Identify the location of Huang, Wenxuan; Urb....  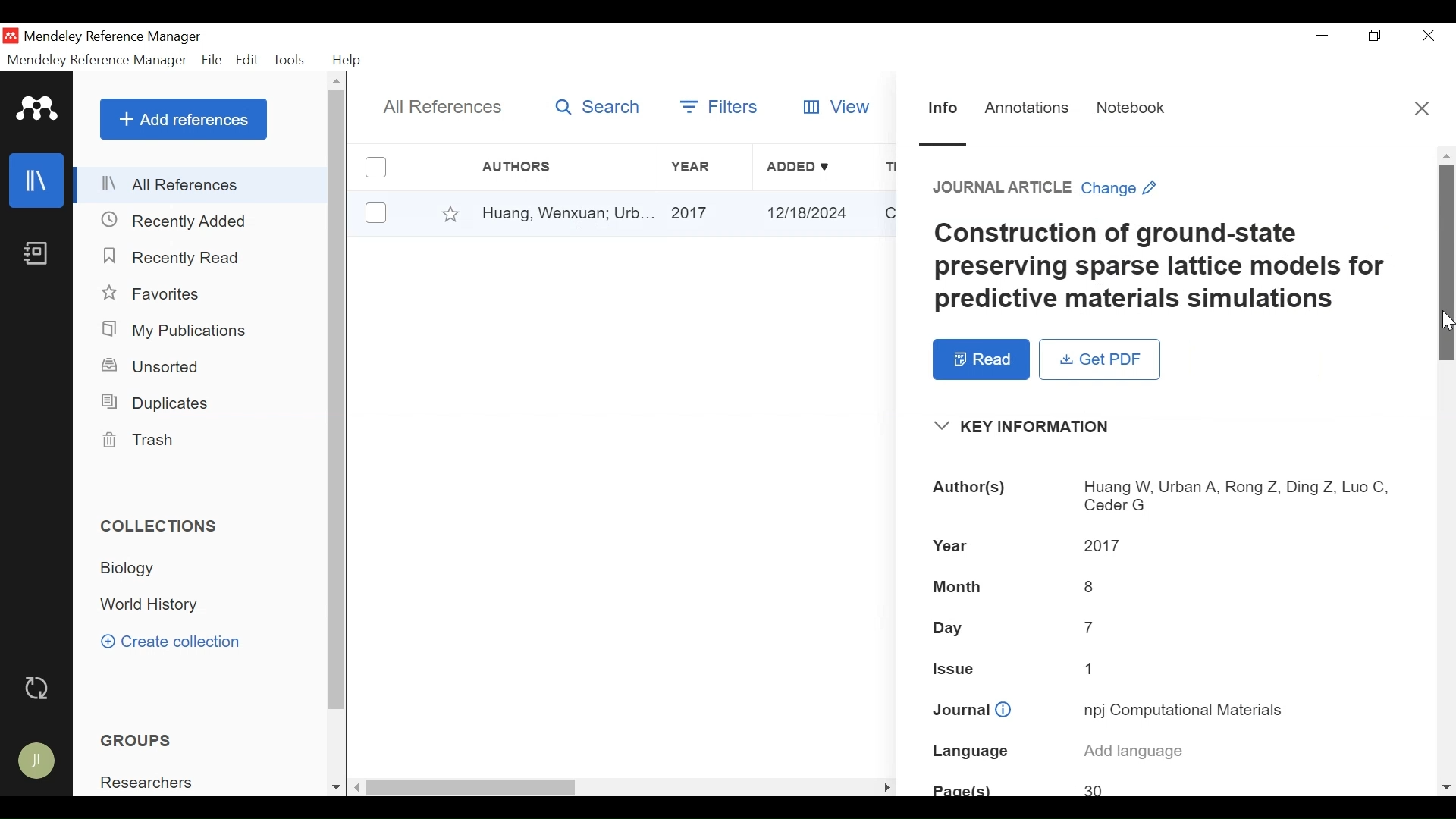
(567, 214).